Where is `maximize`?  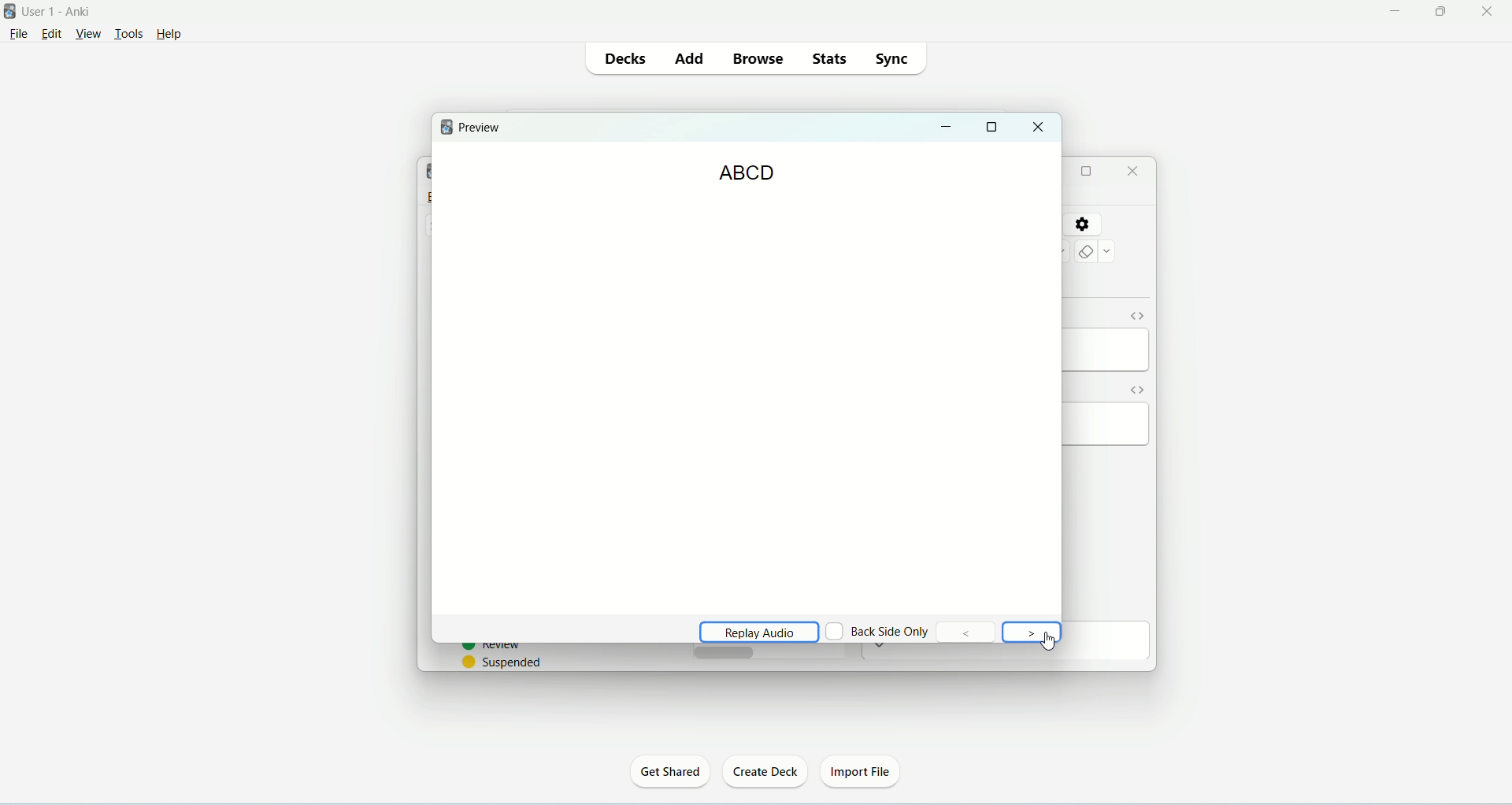
maximize is located at coordinates (1440, 12).